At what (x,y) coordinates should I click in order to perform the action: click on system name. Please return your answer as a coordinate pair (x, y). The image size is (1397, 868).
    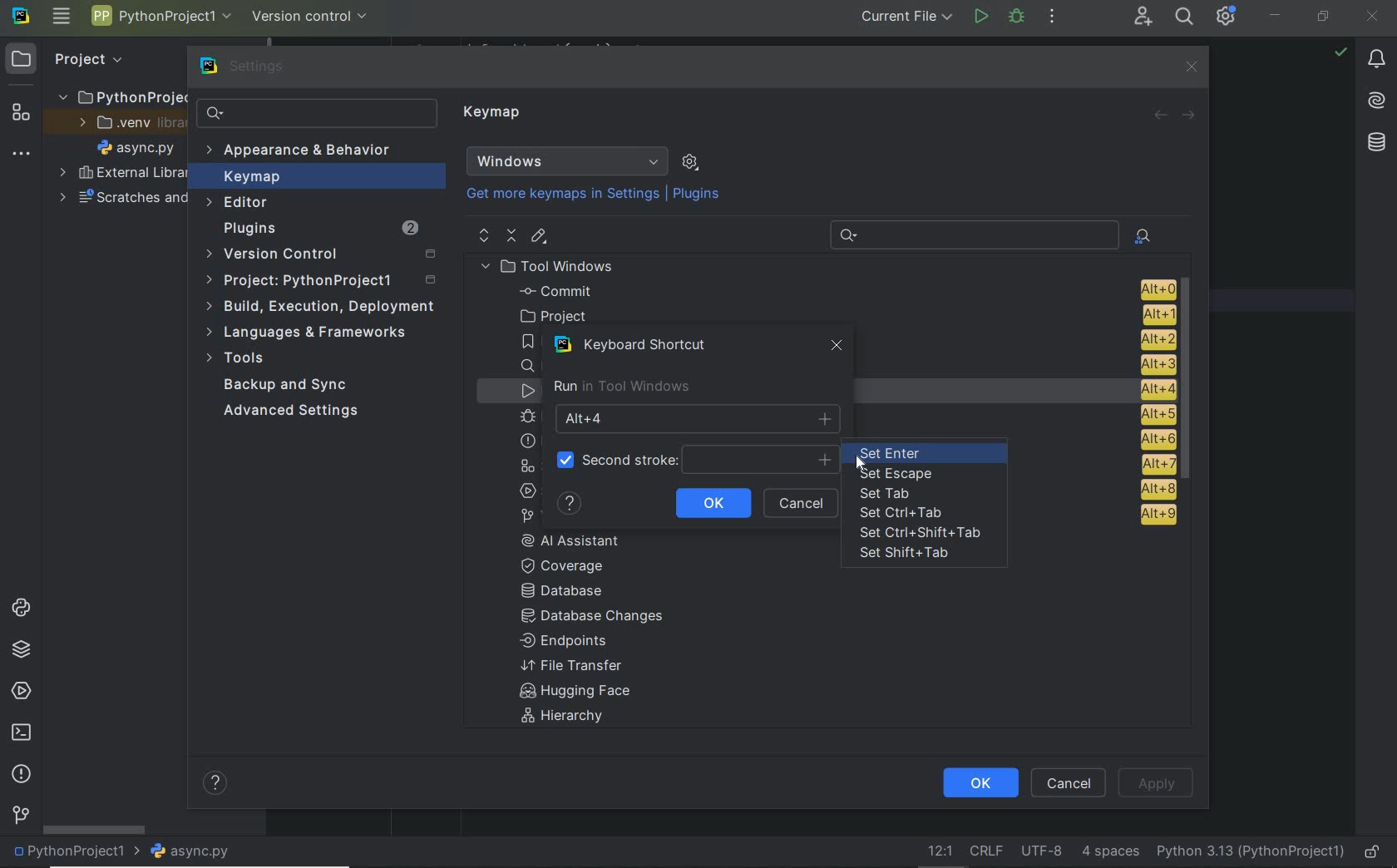
    Looking at the image, I should click on (21, 17).